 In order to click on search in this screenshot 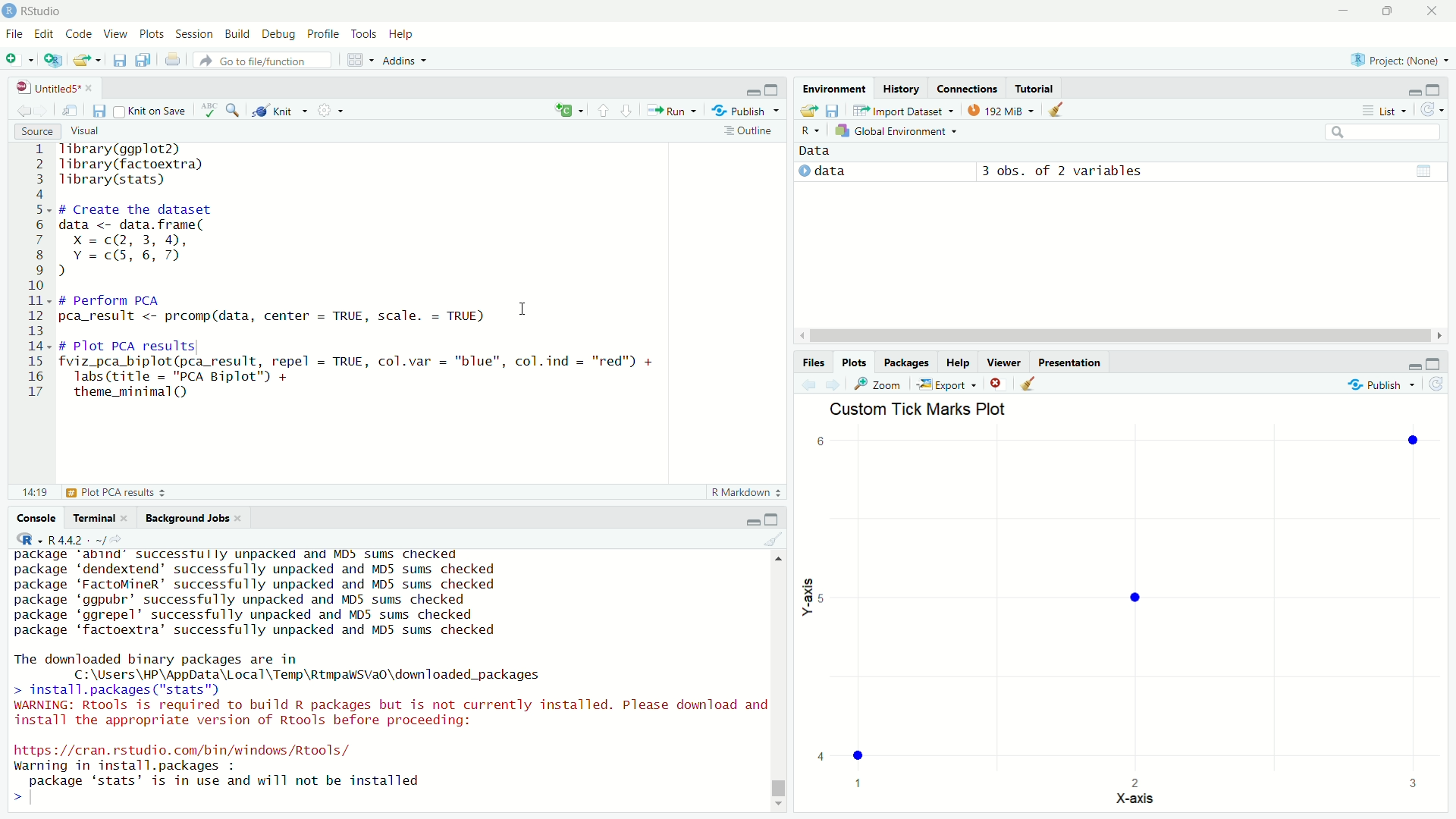, I will do `click(1385, 132)`.